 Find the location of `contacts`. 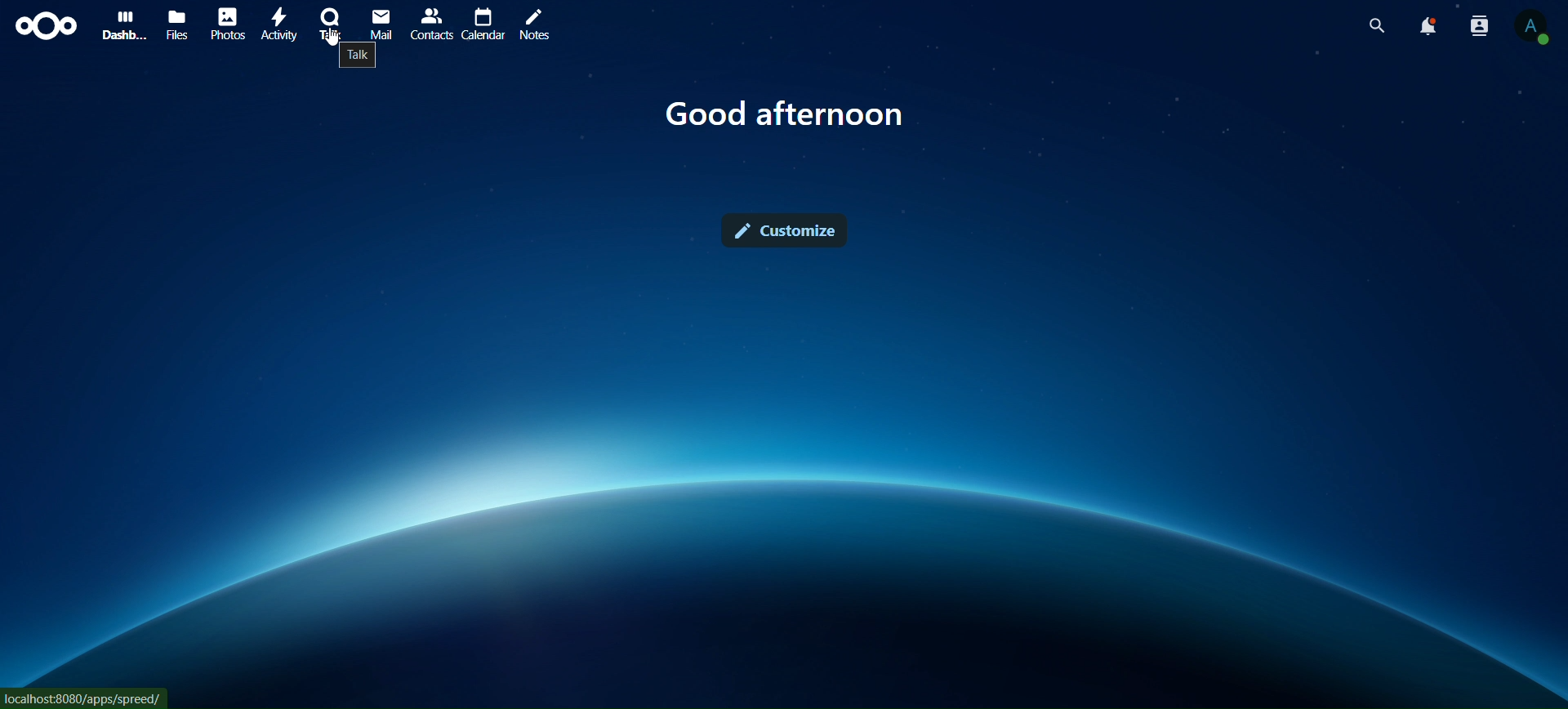

contacts is located at coordinates (432, 24).